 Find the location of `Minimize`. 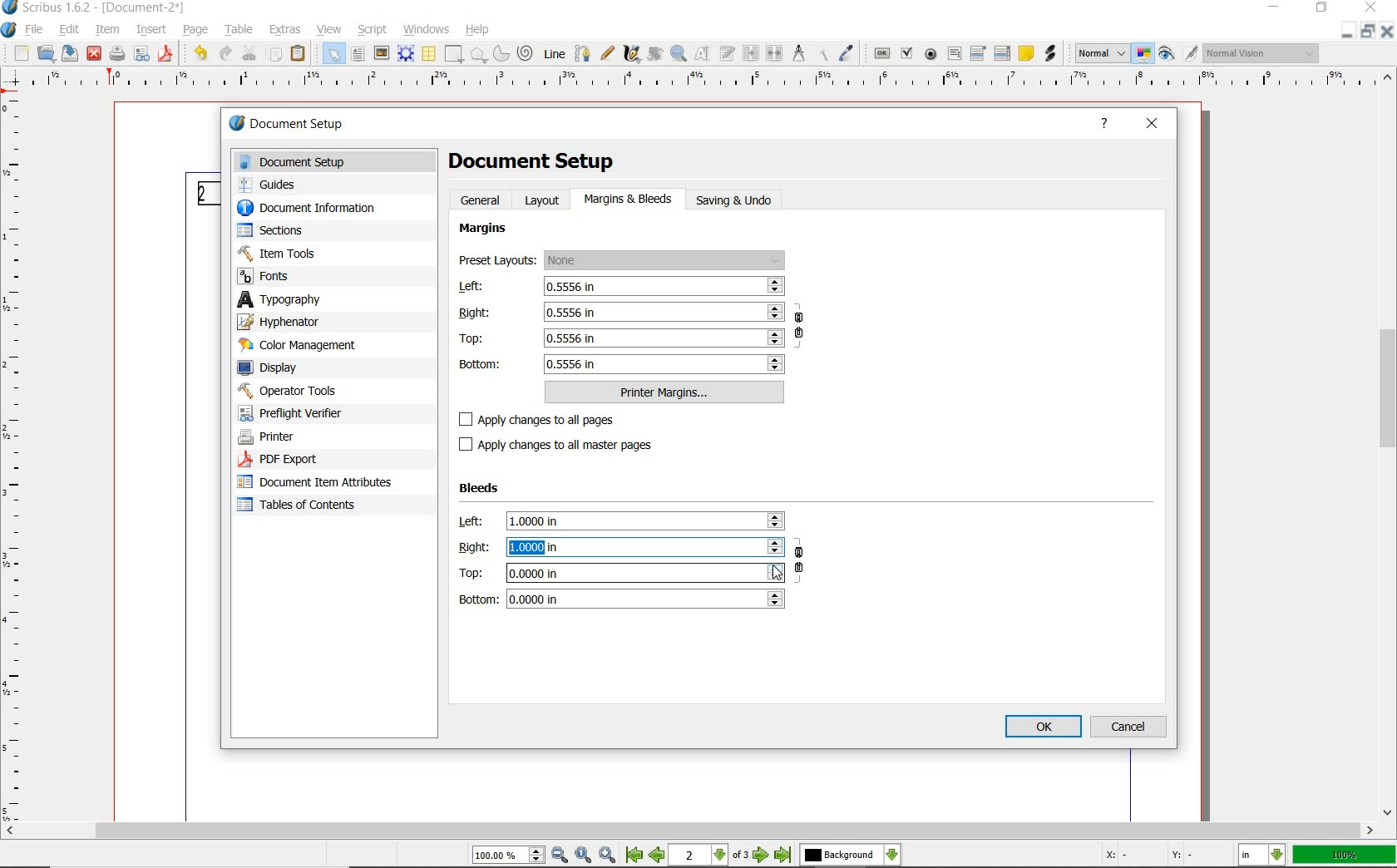

Minimize is located at coordinates (1369, 33).